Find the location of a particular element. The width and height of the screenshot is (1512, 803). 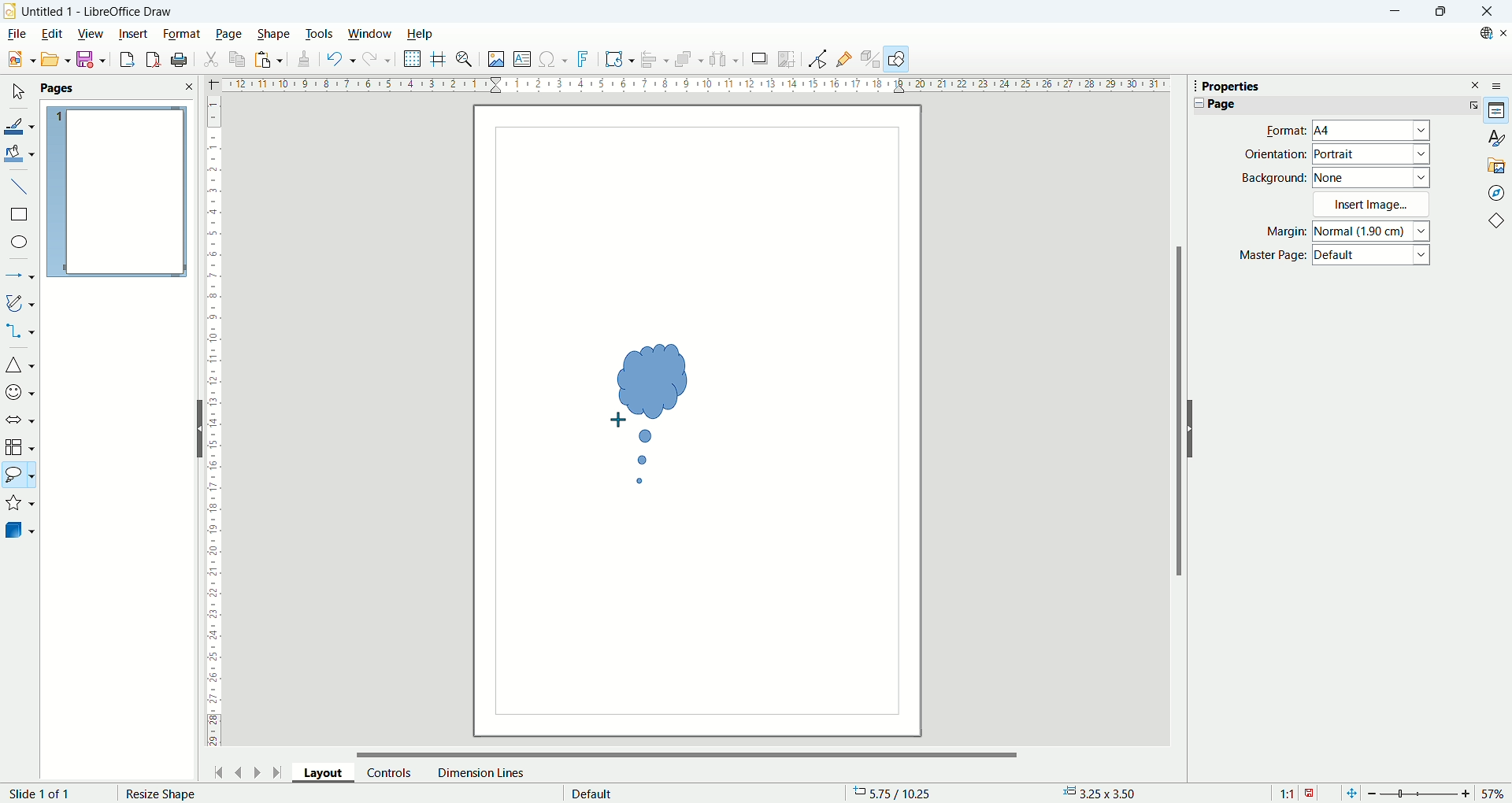

layout is located at coordinates (329, 775).